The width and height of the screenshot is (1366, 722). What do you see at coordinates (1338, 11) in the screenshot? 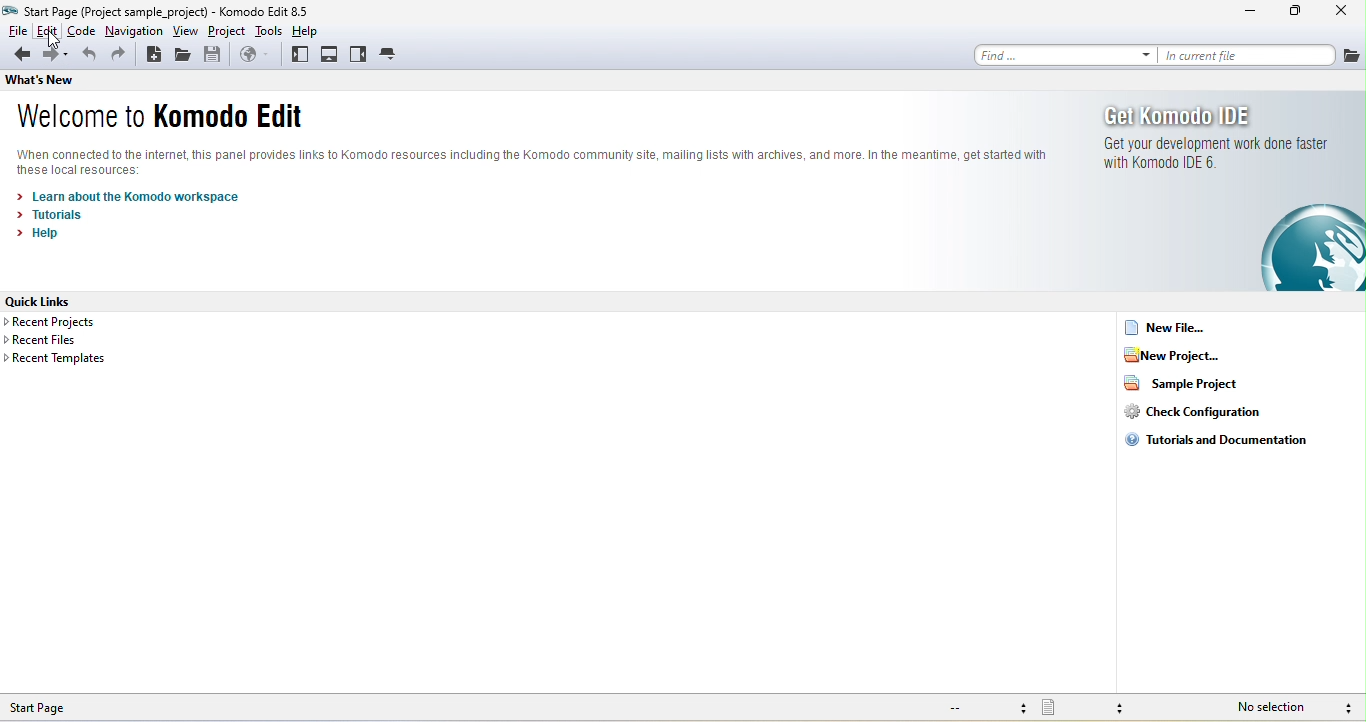
I see `close` at bounding box center [1338, 11].